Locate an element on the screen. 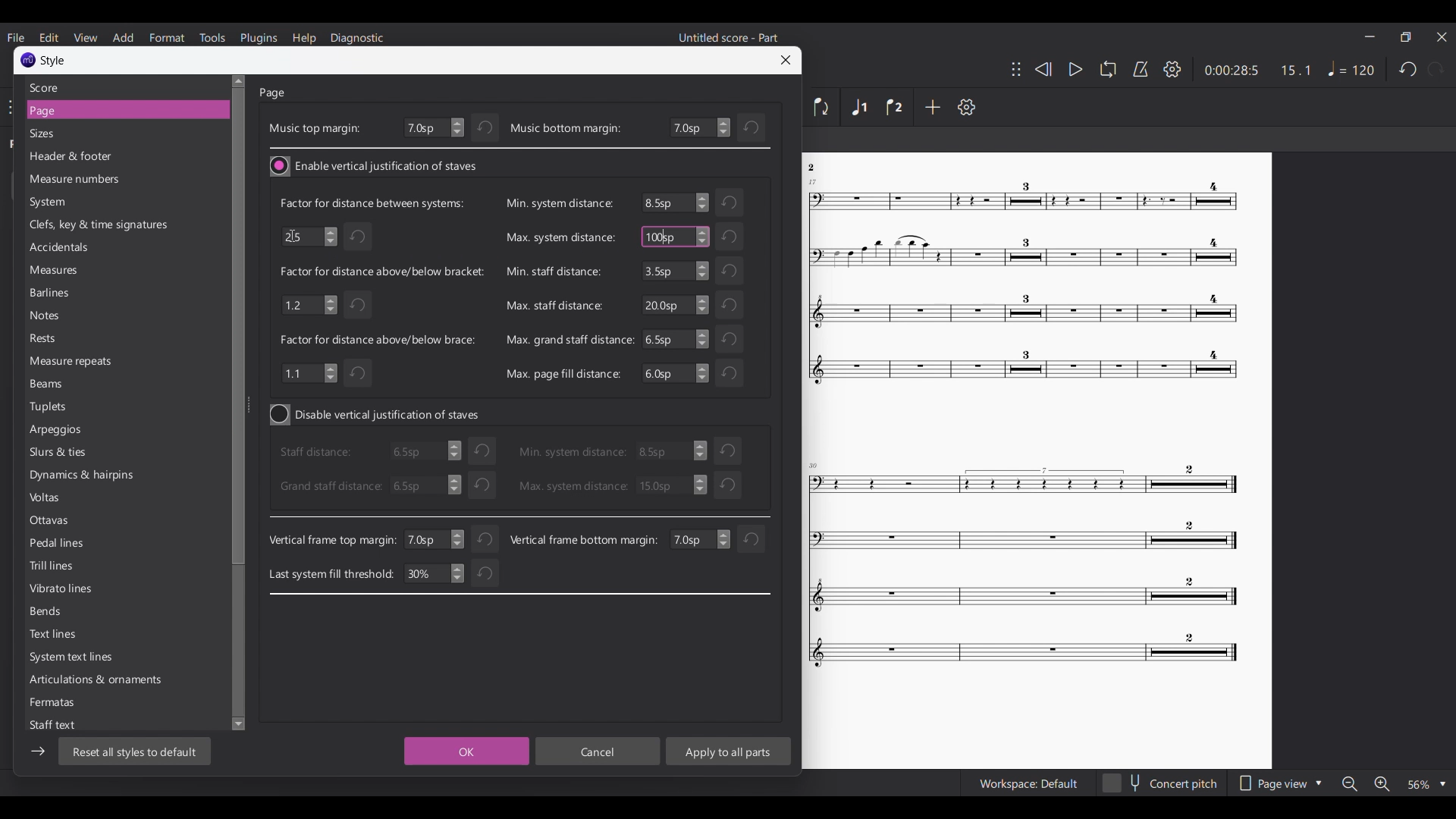   is located at coordinates (734, 337).